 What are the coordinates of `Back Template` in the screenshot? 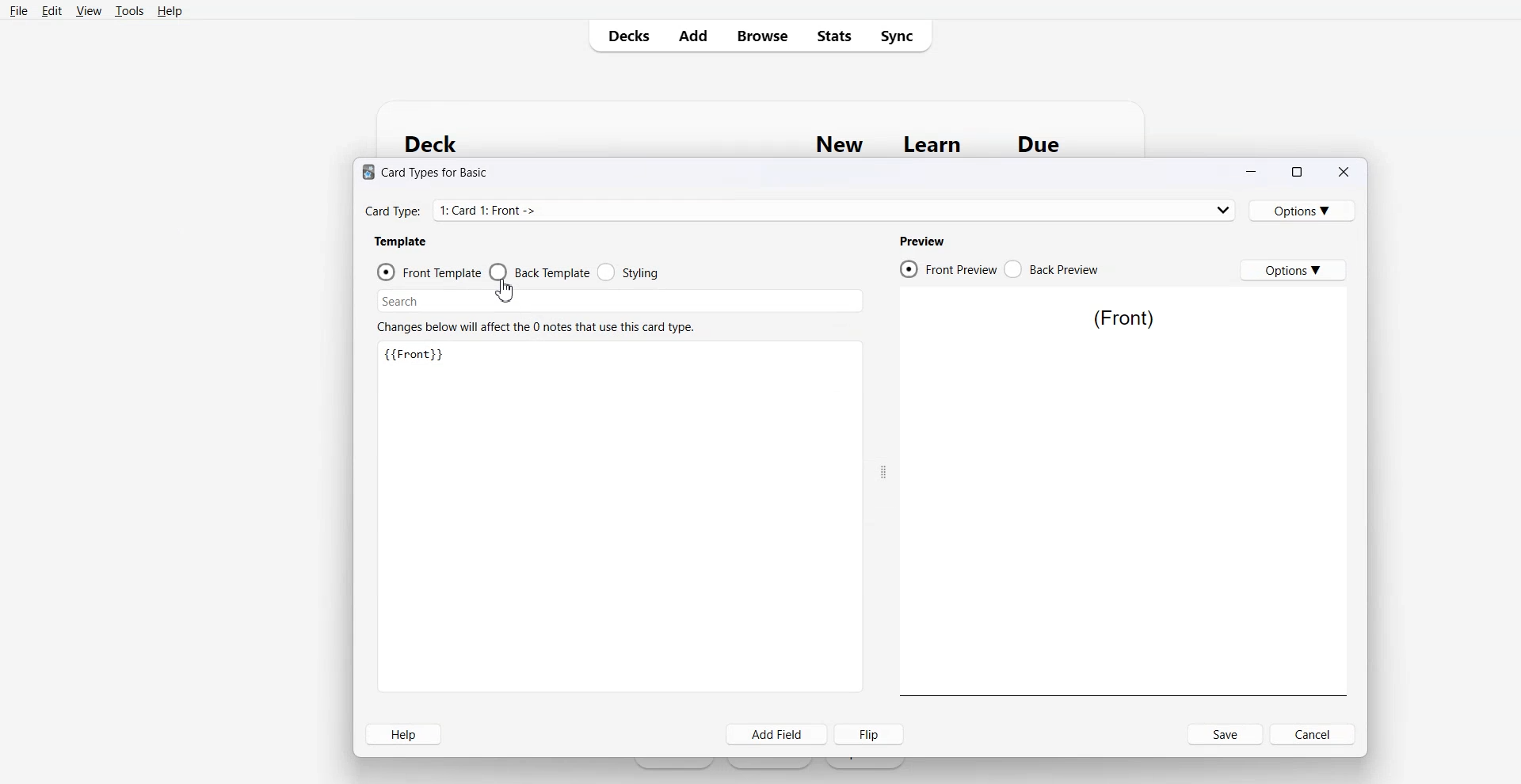 It's located at (539, 271).